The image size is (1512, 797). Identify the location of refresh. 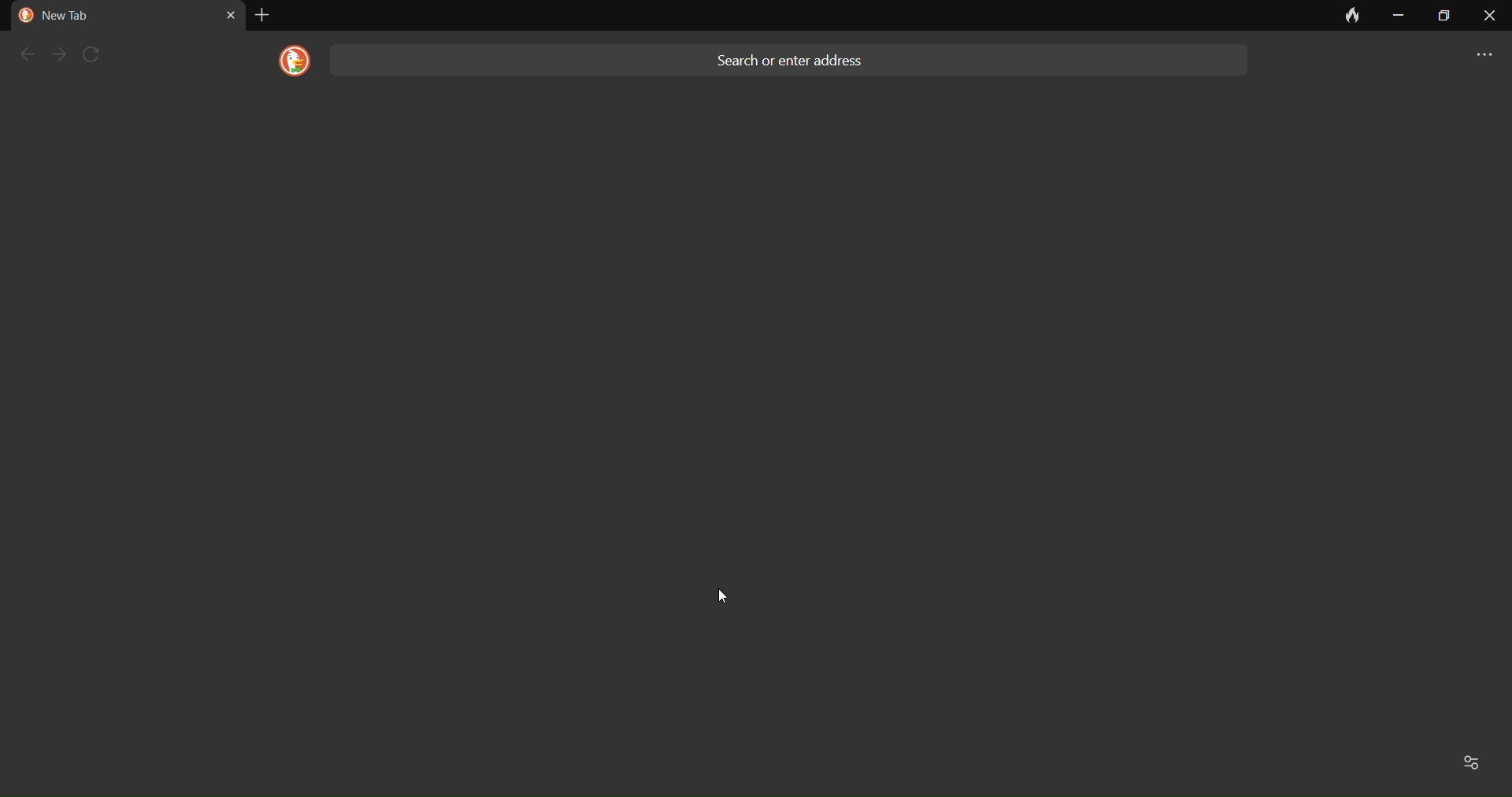
(98, 54).